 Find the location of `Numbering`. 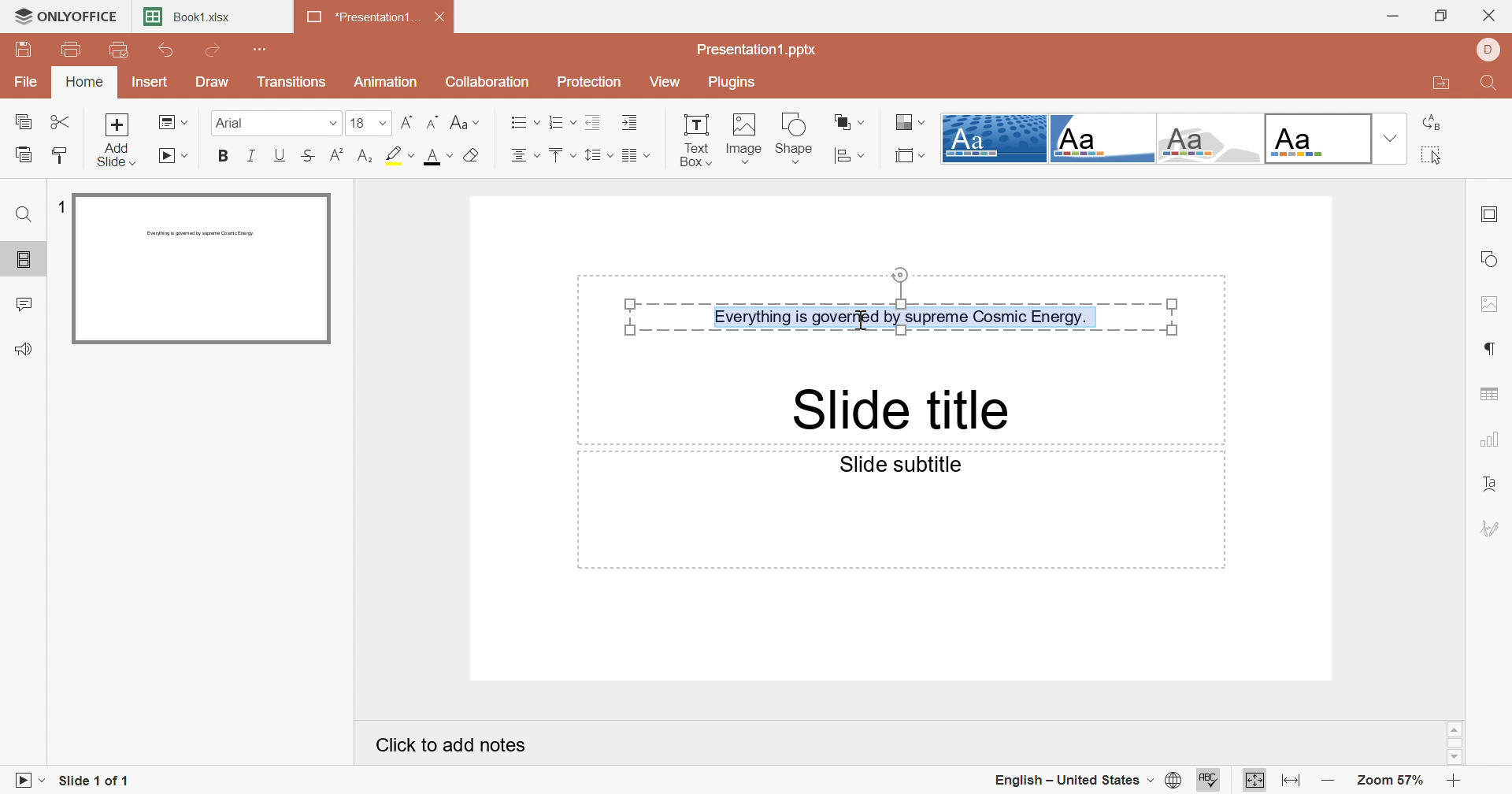

Numbering is located at coordinates (561, 121).